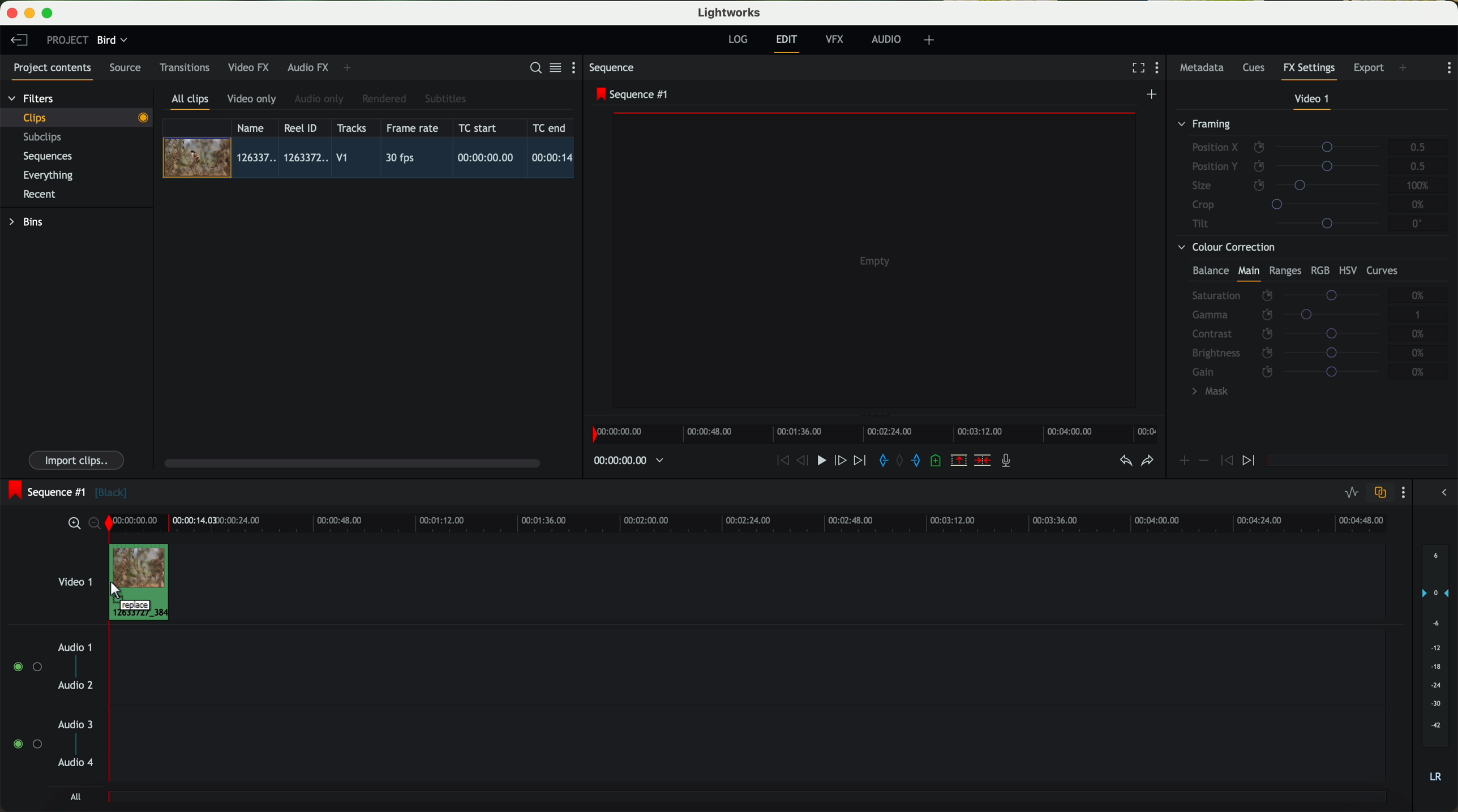 The image size is (1458, 812). Describe the element at coordinates (1291, 223) in the screenshot. I see `tilt` at that location.